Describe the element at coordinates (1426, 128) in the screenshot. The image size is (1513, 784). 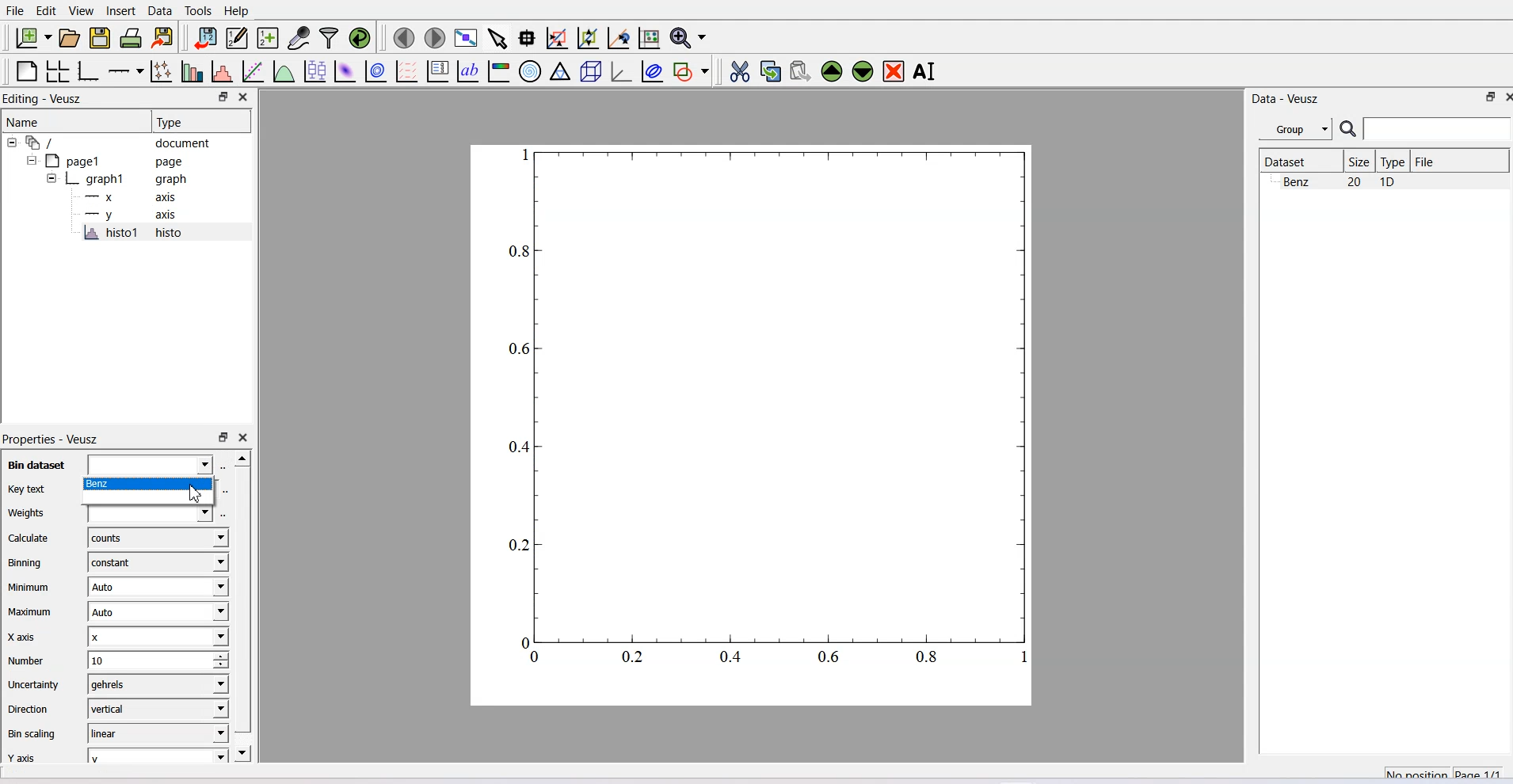
I see `Search Bar` at that location.